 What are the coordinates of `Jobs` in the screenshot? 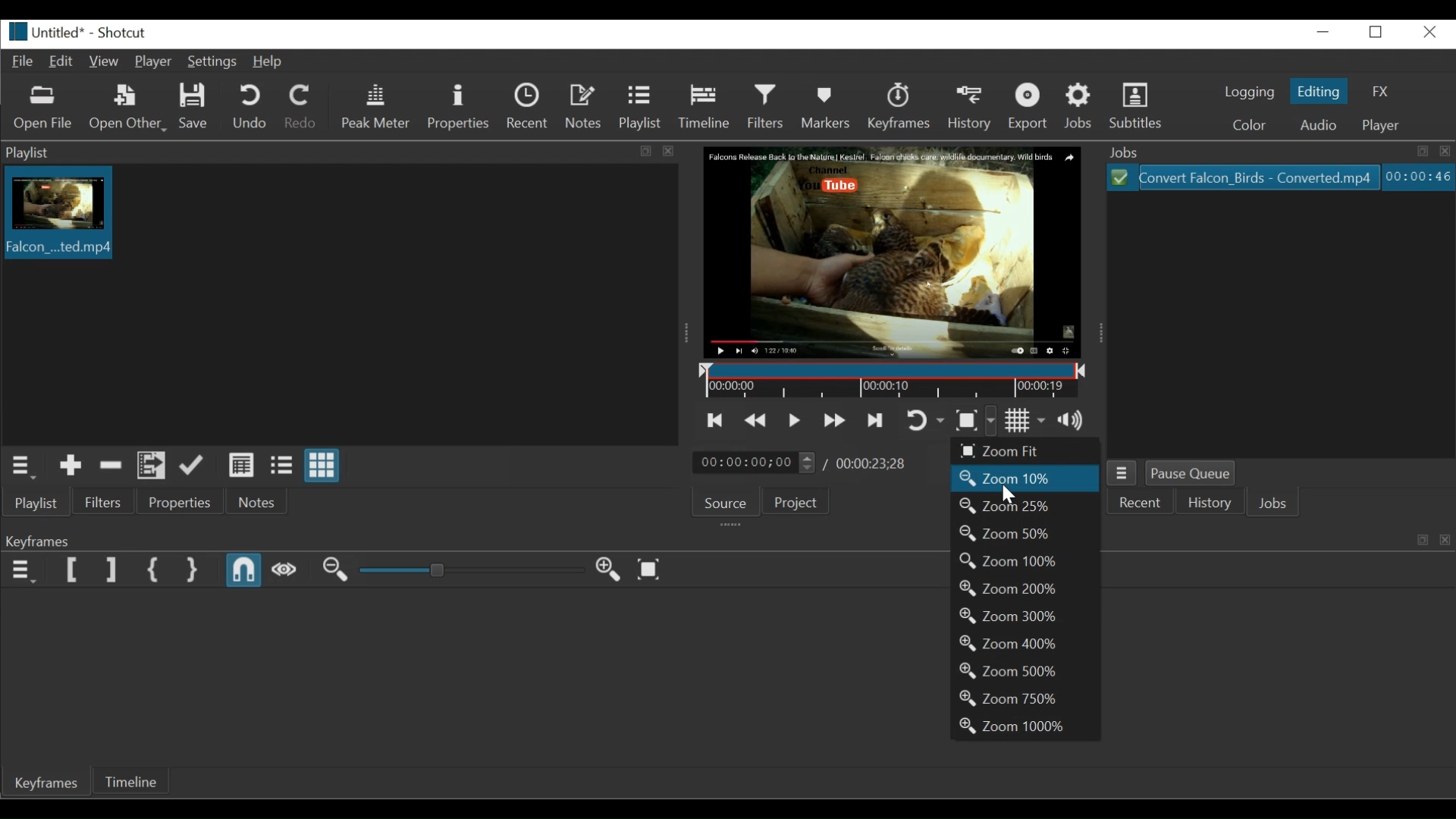 It's located at (1272, 502).